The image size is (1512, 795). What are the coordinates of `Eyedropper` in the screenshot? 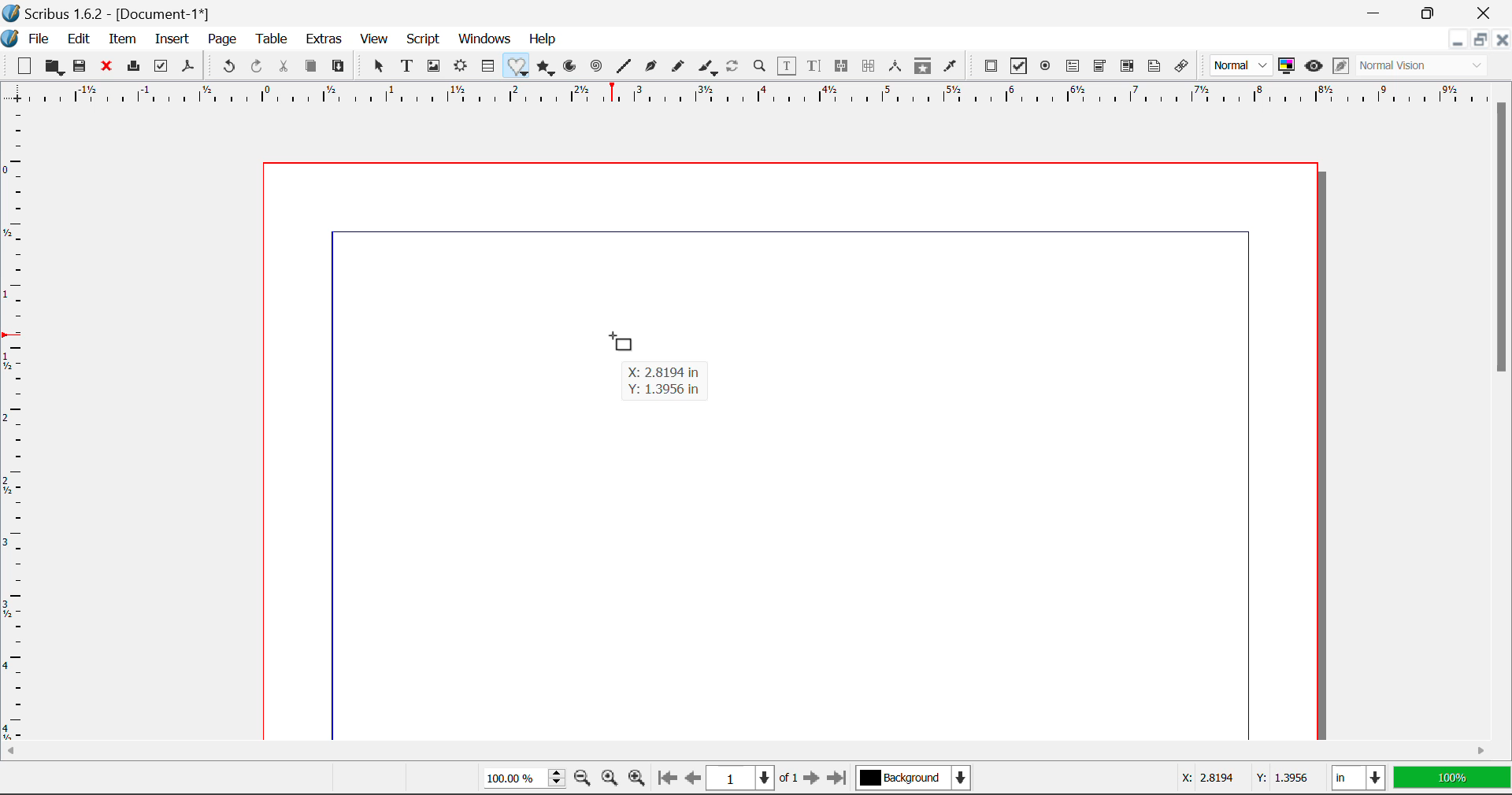 It's located at (951, 66).